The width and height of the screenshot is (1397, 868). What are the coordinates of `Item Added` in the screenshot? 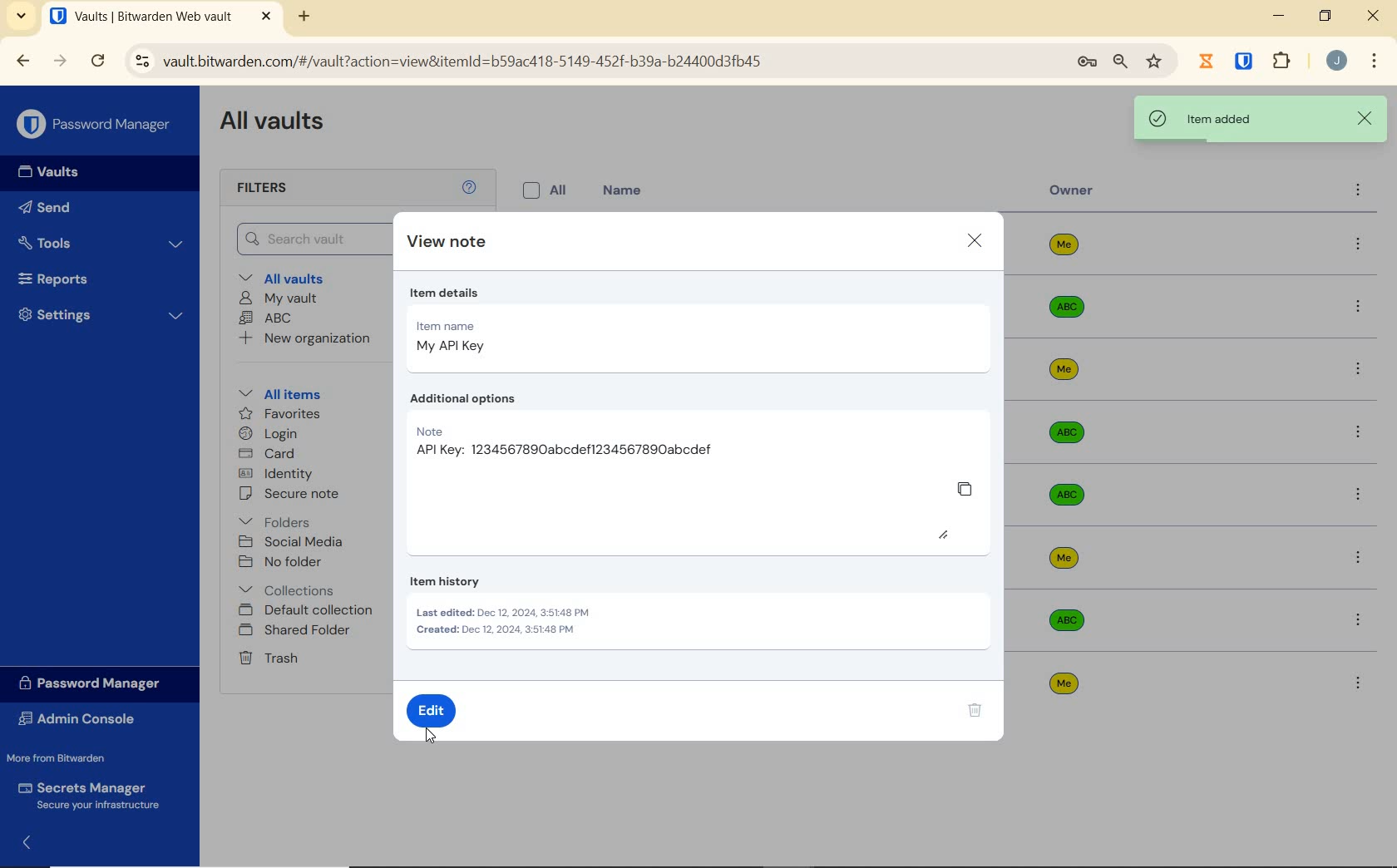 It's located at (1233, 119).